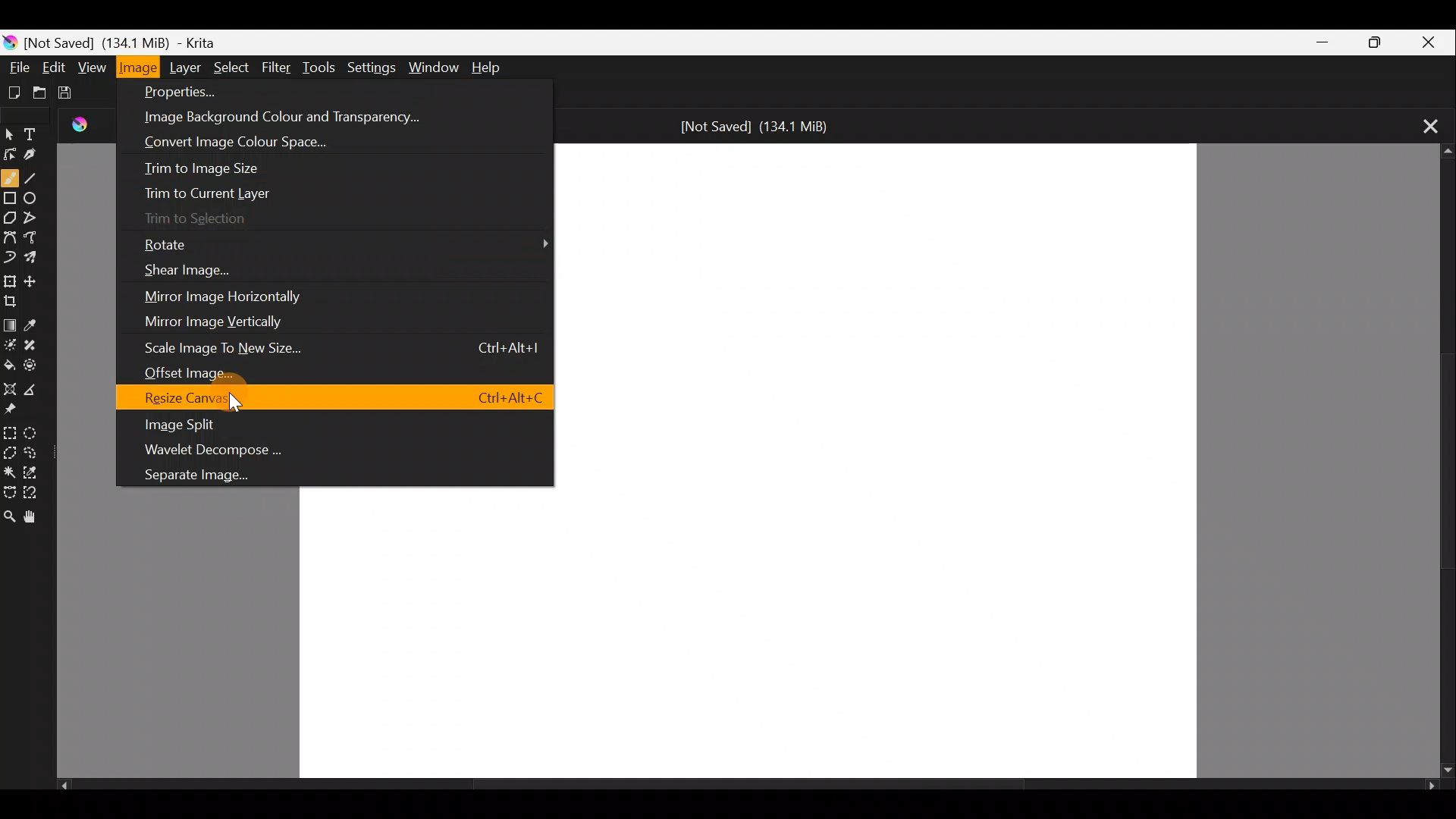 This screenshot has width=1456, height=819. Describe the element at coordinates (36, 450) in the screenshot. I see `Freehand selection tool` at that location.